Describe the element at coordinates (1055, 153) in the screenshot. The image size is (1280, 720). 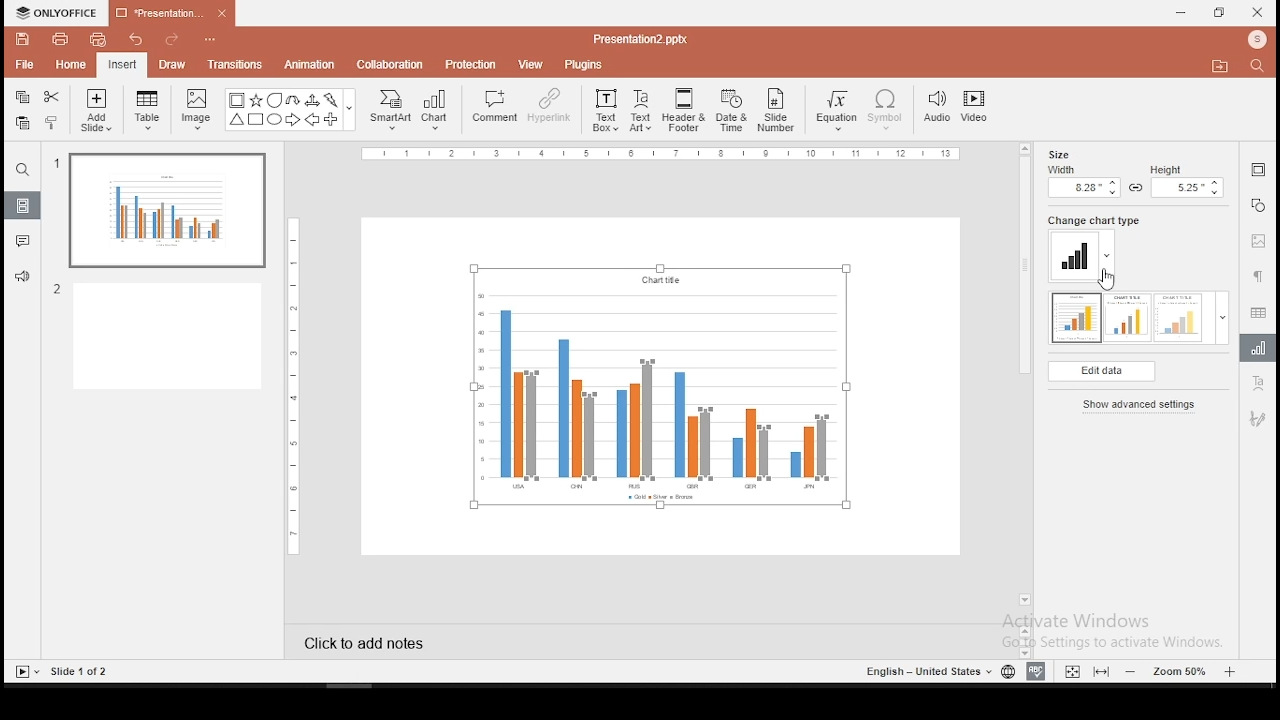
I see `size` at that location.